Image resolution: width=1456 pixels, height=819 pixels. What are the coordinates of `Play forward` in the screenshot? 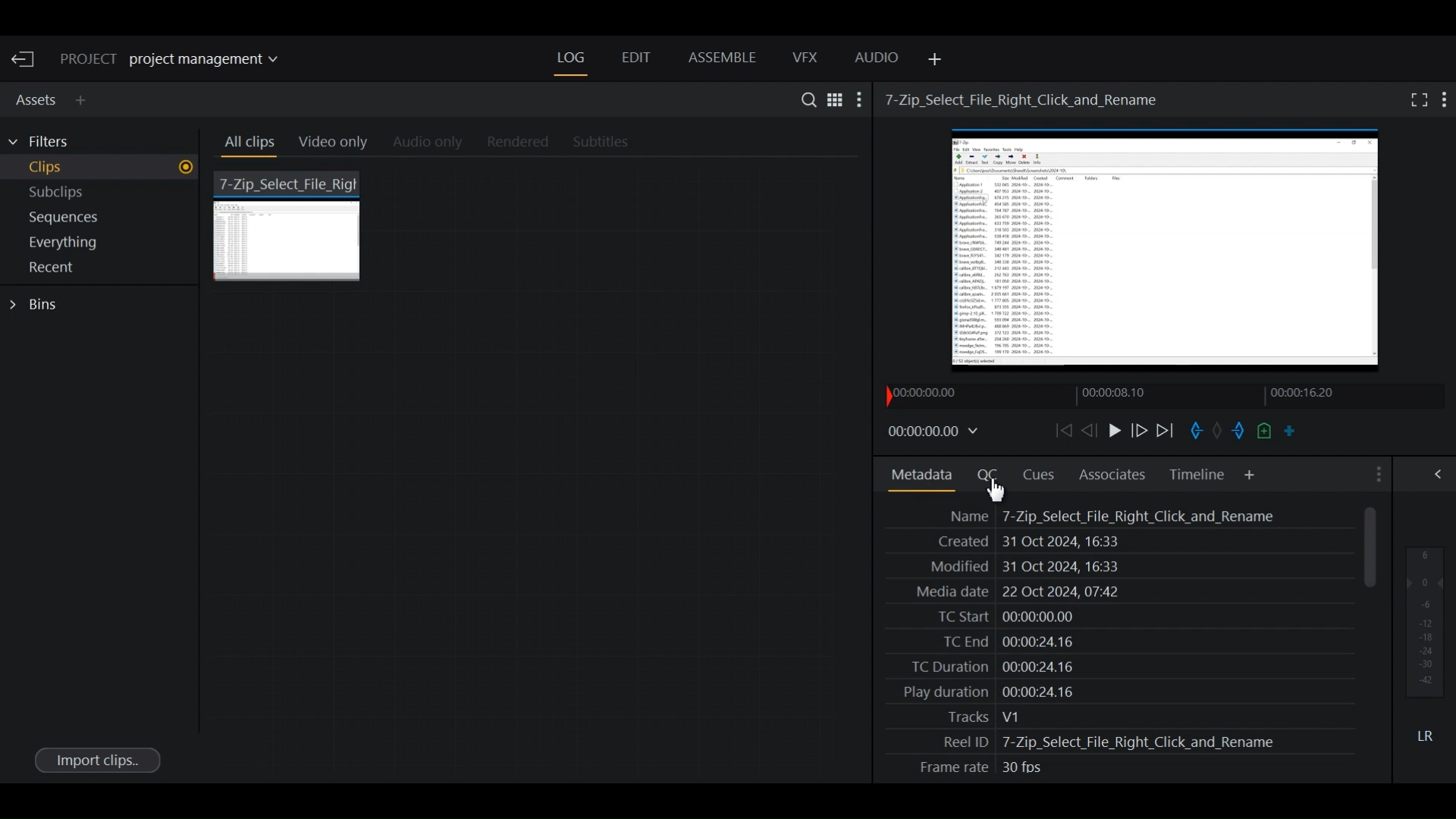 It's located at (1166, 431).